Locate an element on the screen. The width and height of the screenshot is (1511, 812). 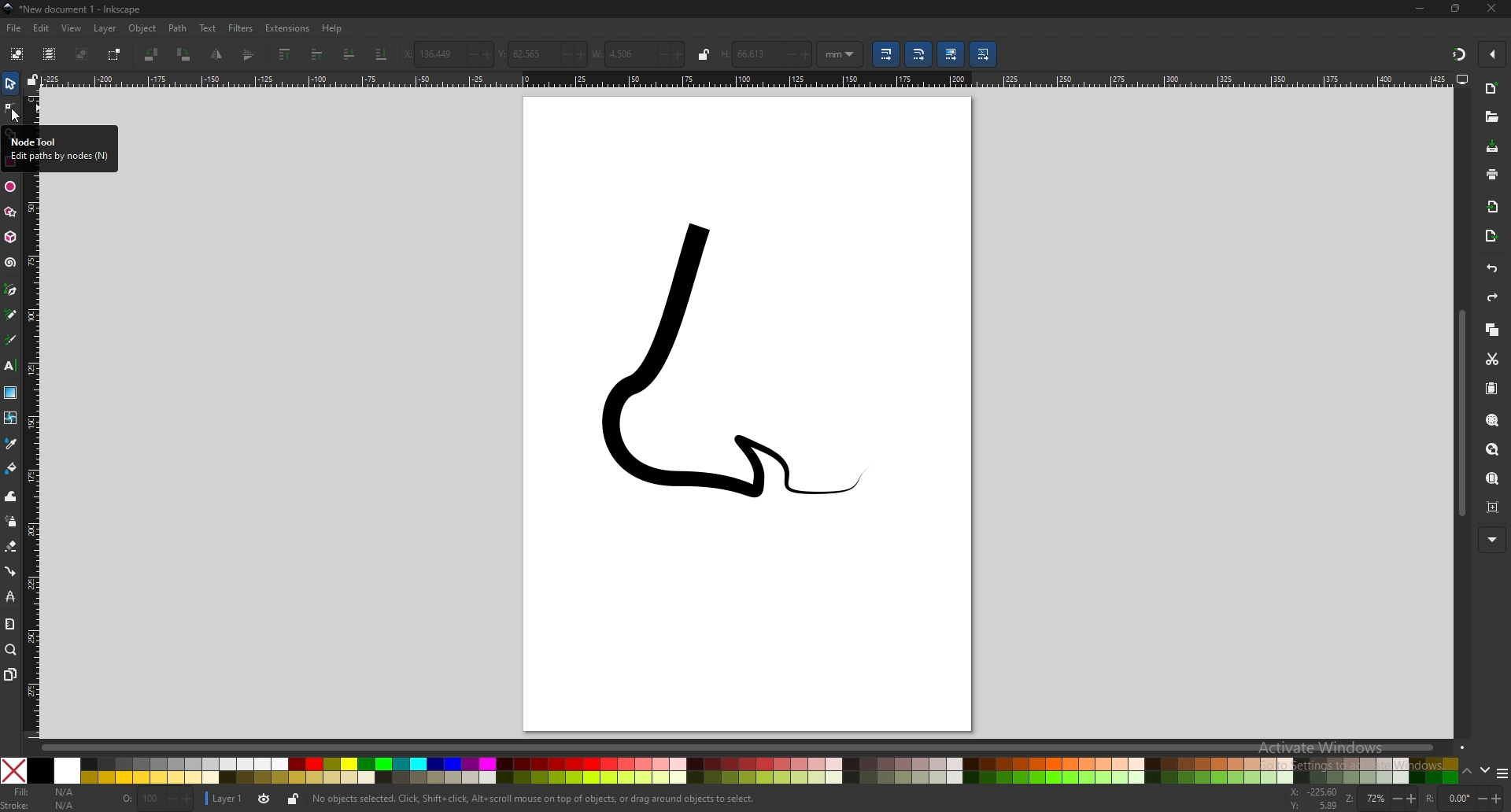
y coordinates is located at coordinates (541, 54).